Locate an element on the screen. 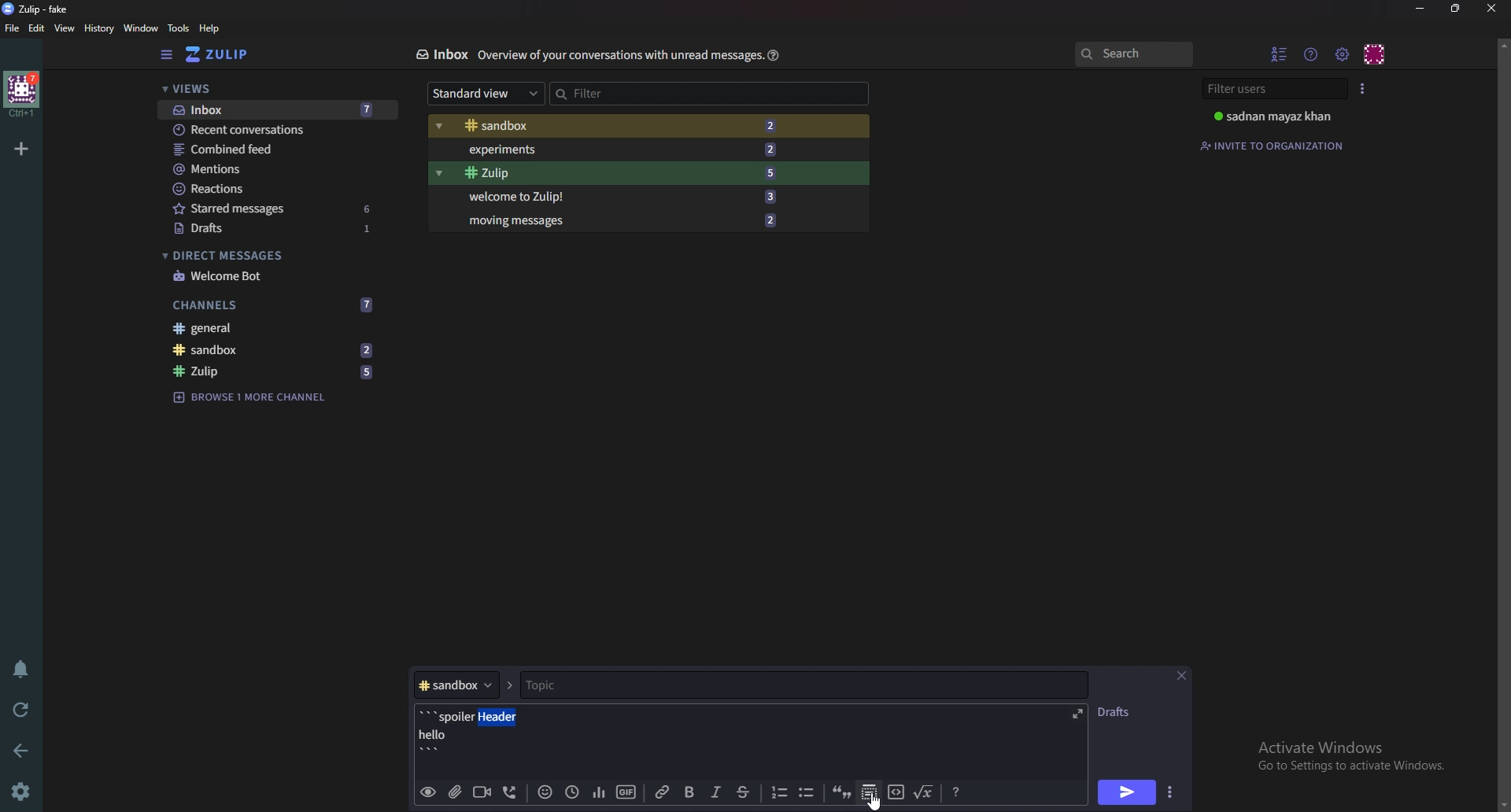 This screenshot has width=1511, height=812. View is located at coordinates (65, 29).